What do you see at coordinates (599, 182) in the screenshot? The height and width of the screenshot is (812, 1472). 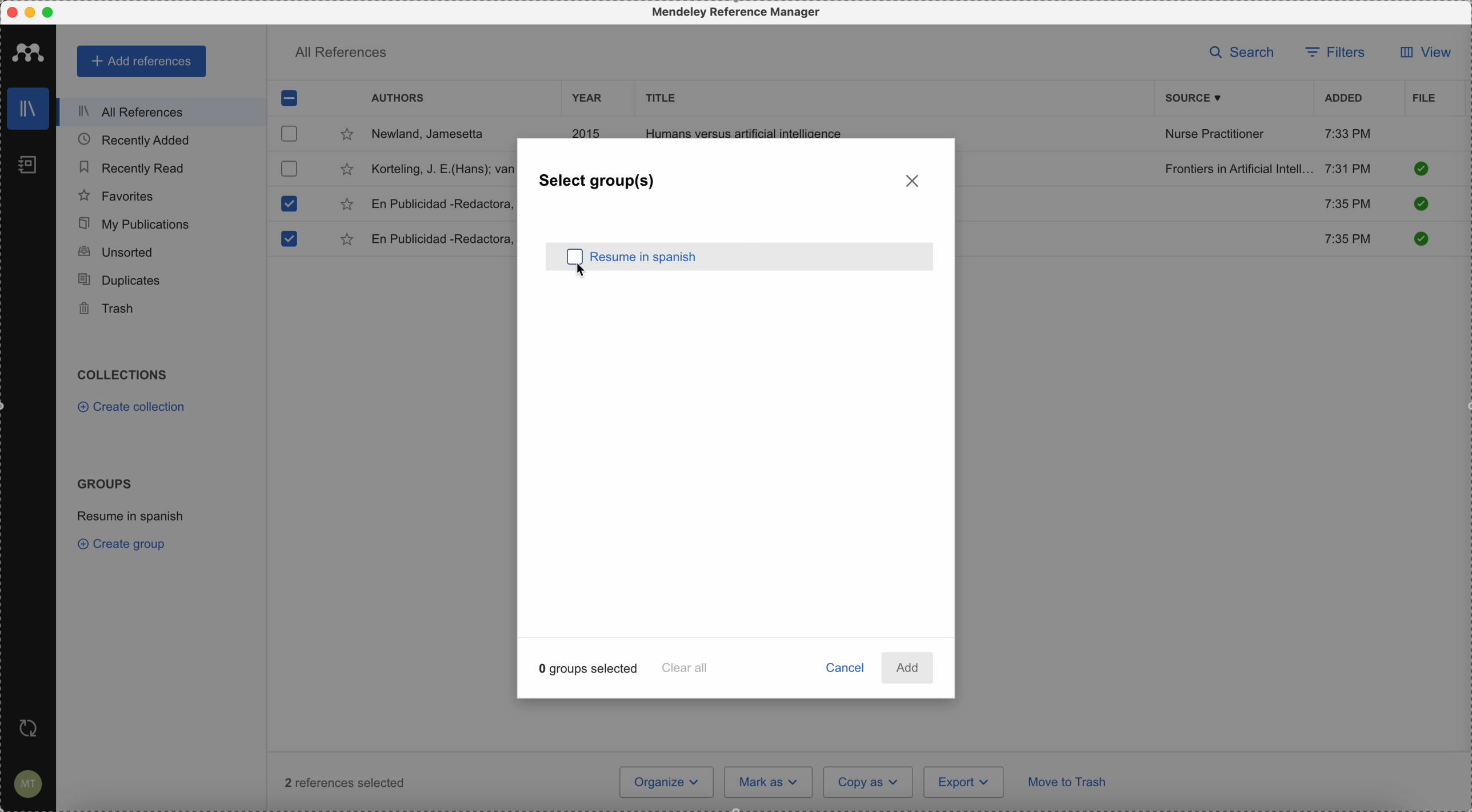 I see `select group ` at bounding box center [599, 182].